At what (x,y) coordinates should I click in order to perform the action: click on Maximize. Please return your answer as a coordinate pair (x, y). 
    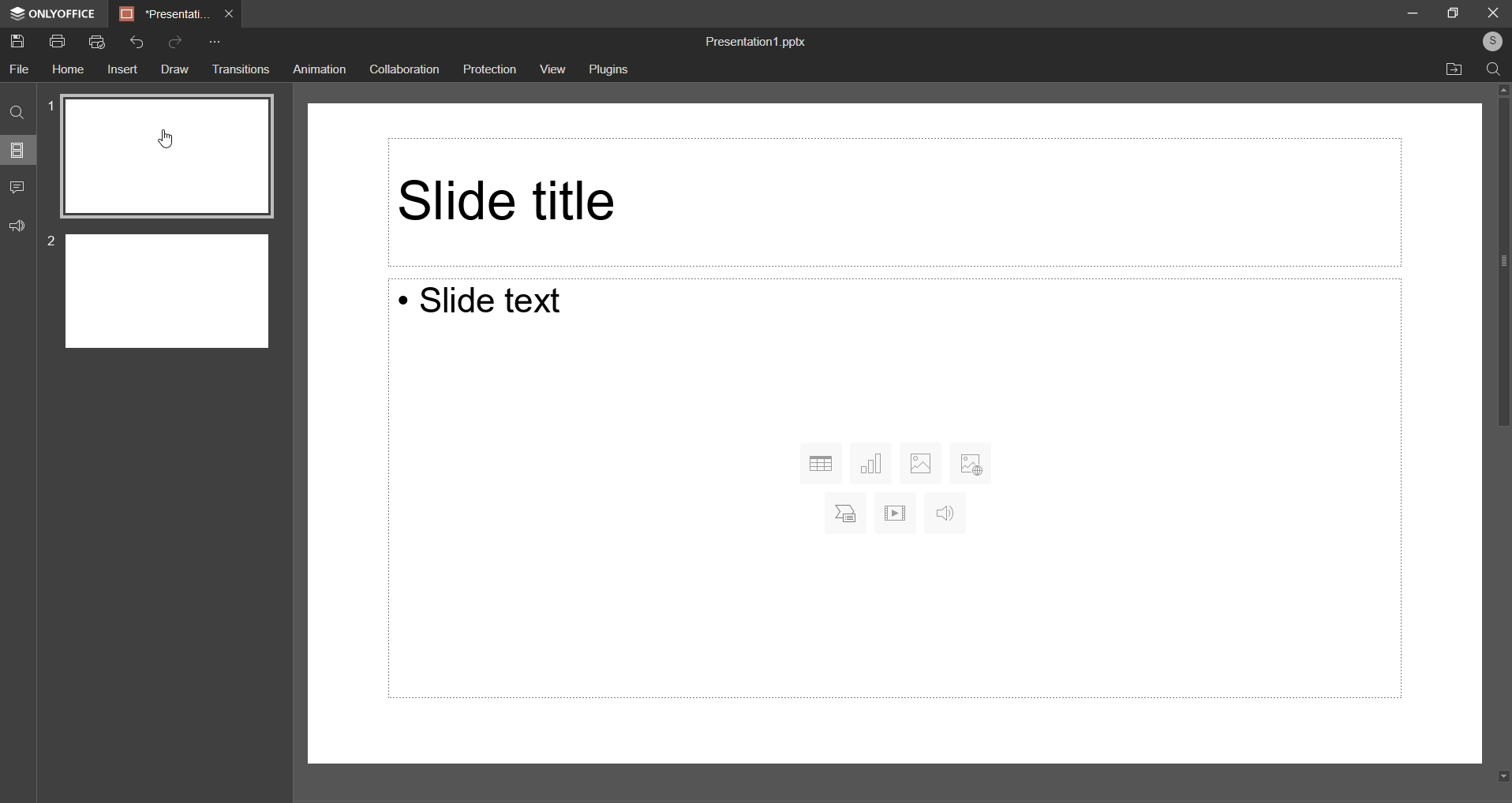
    Looking at the image, I should click on (1454, 11).